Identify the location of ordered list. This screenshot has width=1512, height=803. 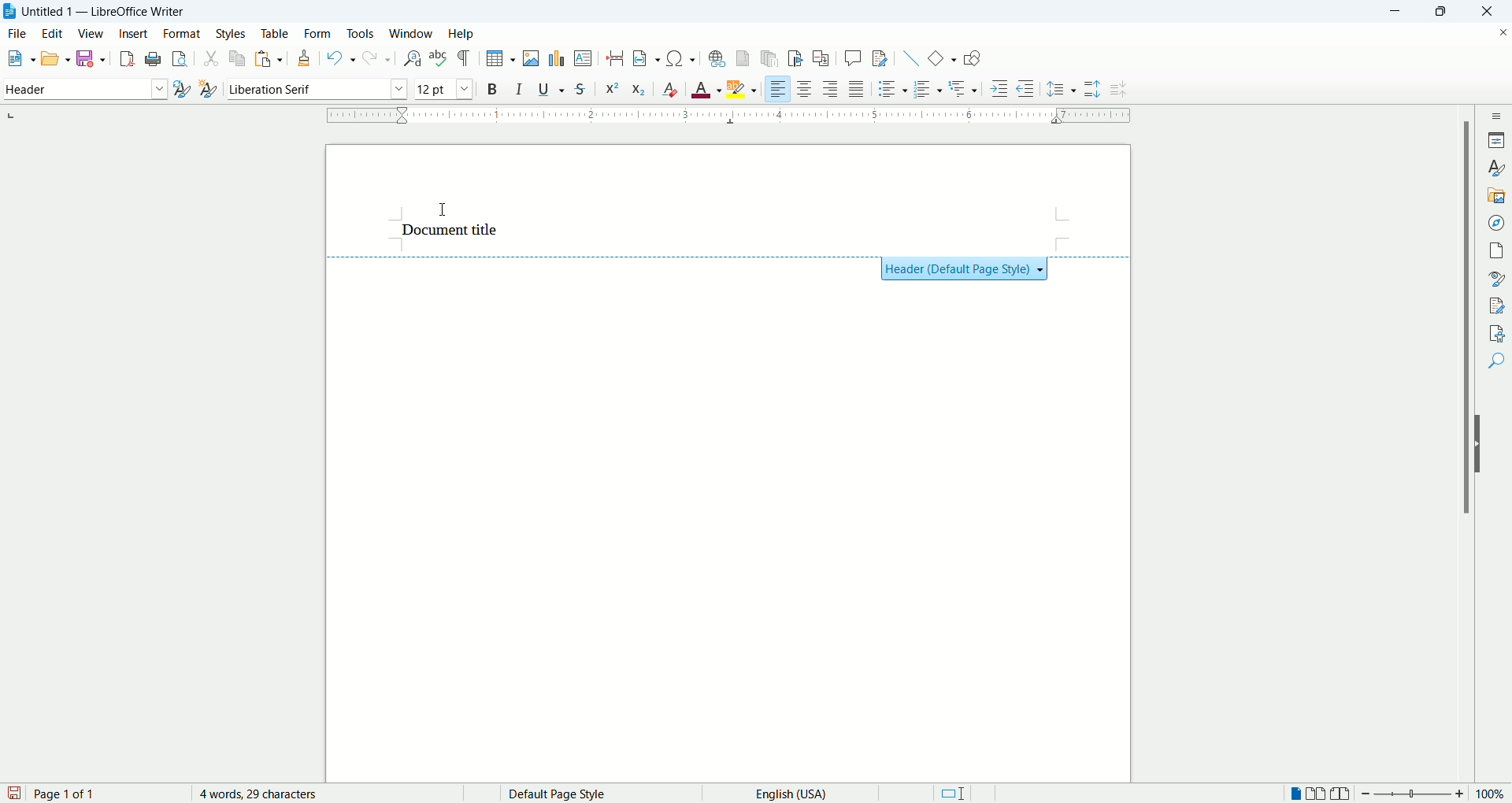
(927, 89).